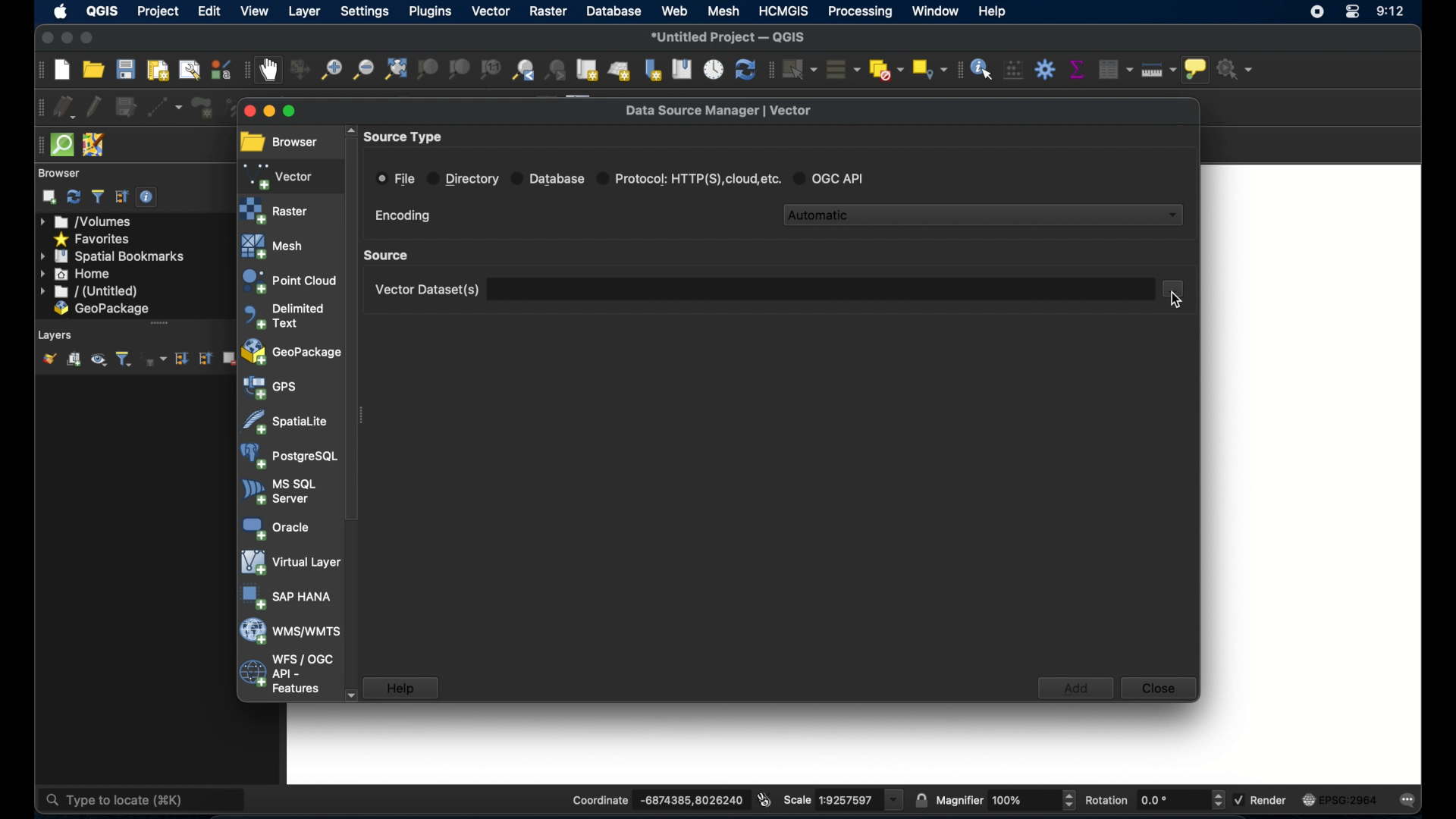  I want to click on scroll down arrow, so click(351, 694).